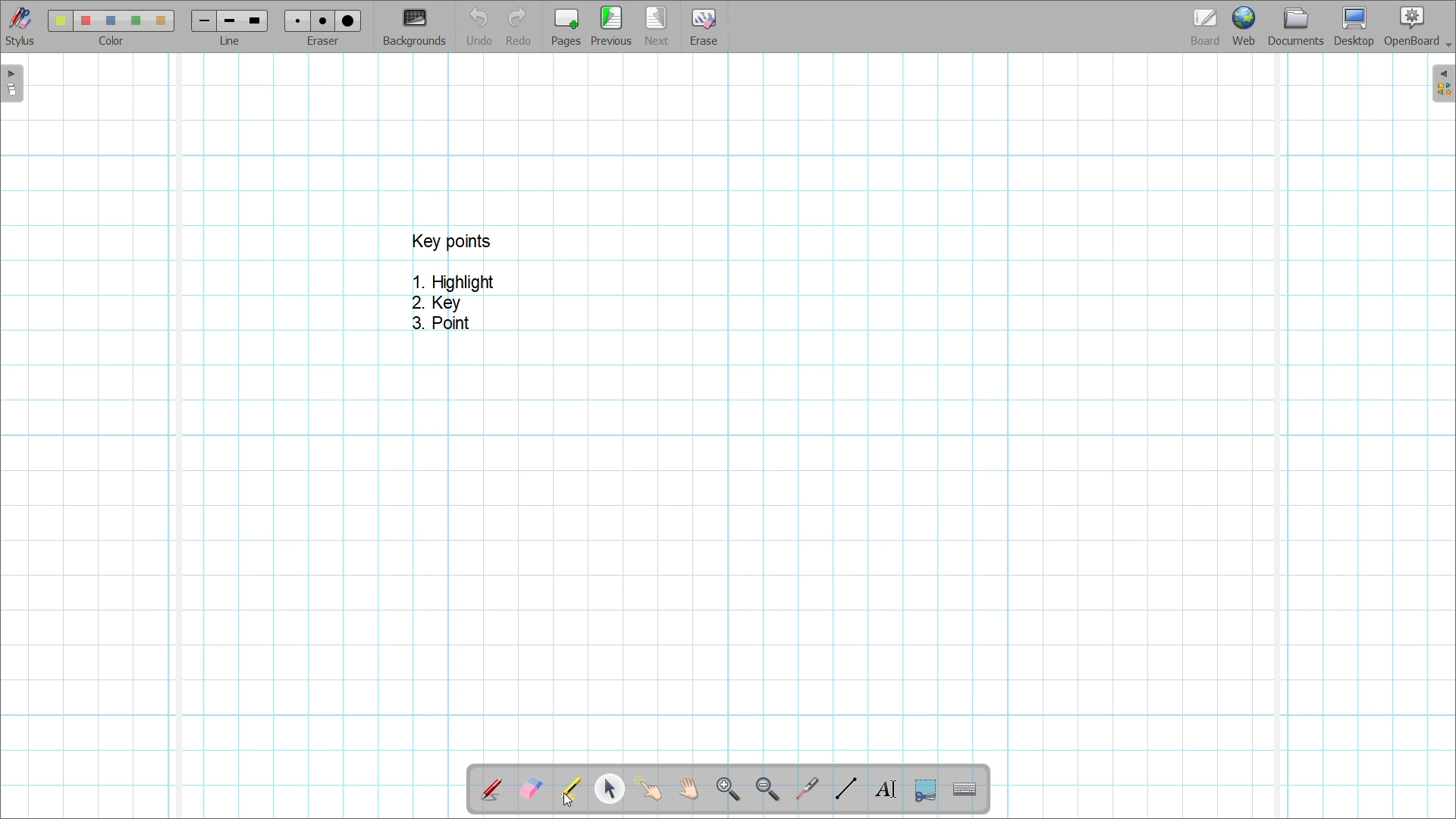  What do you see at coordinates (1443, 83) in the screenshot?
I see `Right sidebar` at bounding box center [1443, 83].